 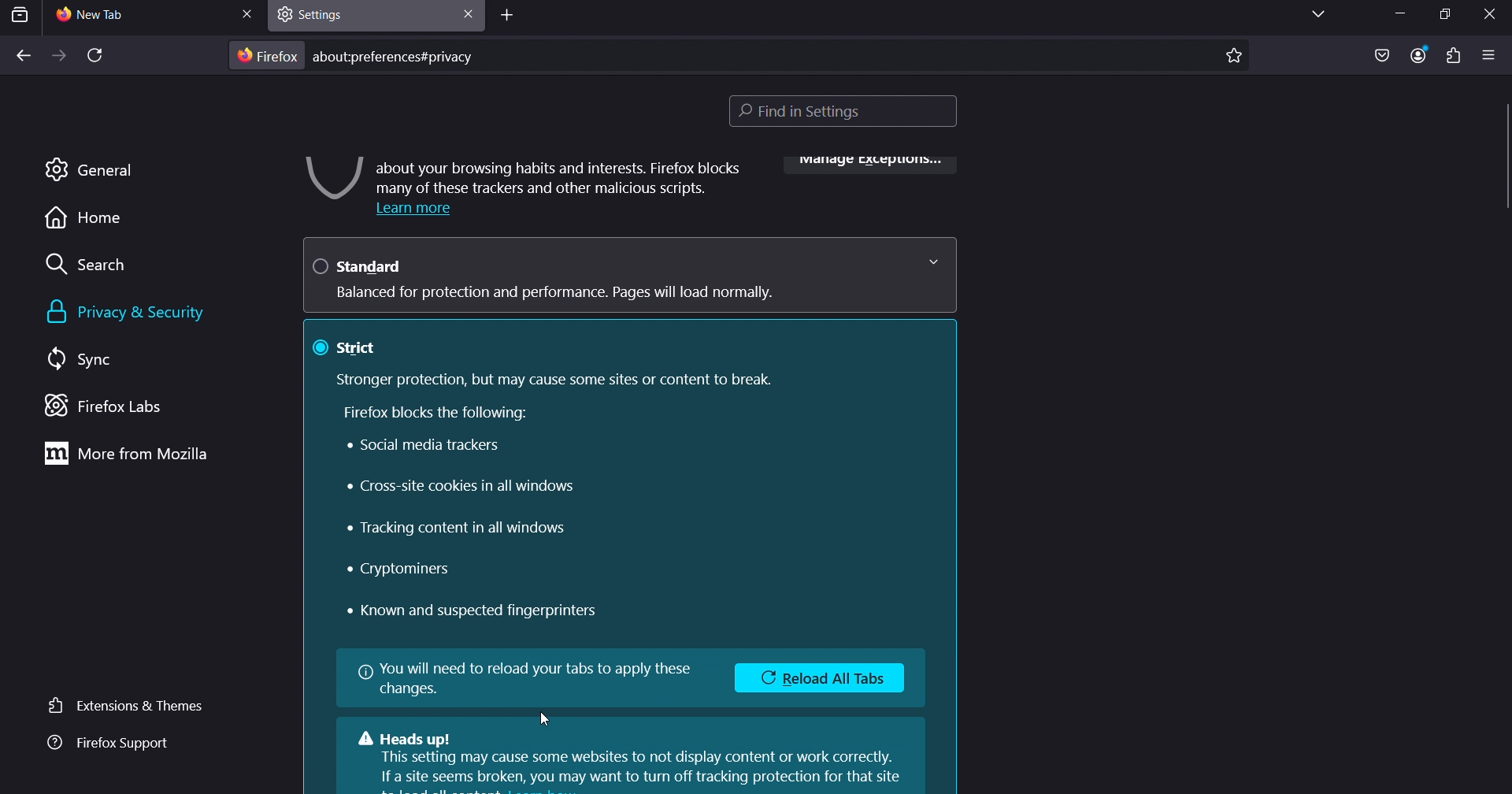 What do you see at coordinates (1503, 138) in the screenshot?
I see `scrollbar` at bounding box center [1503, 138].